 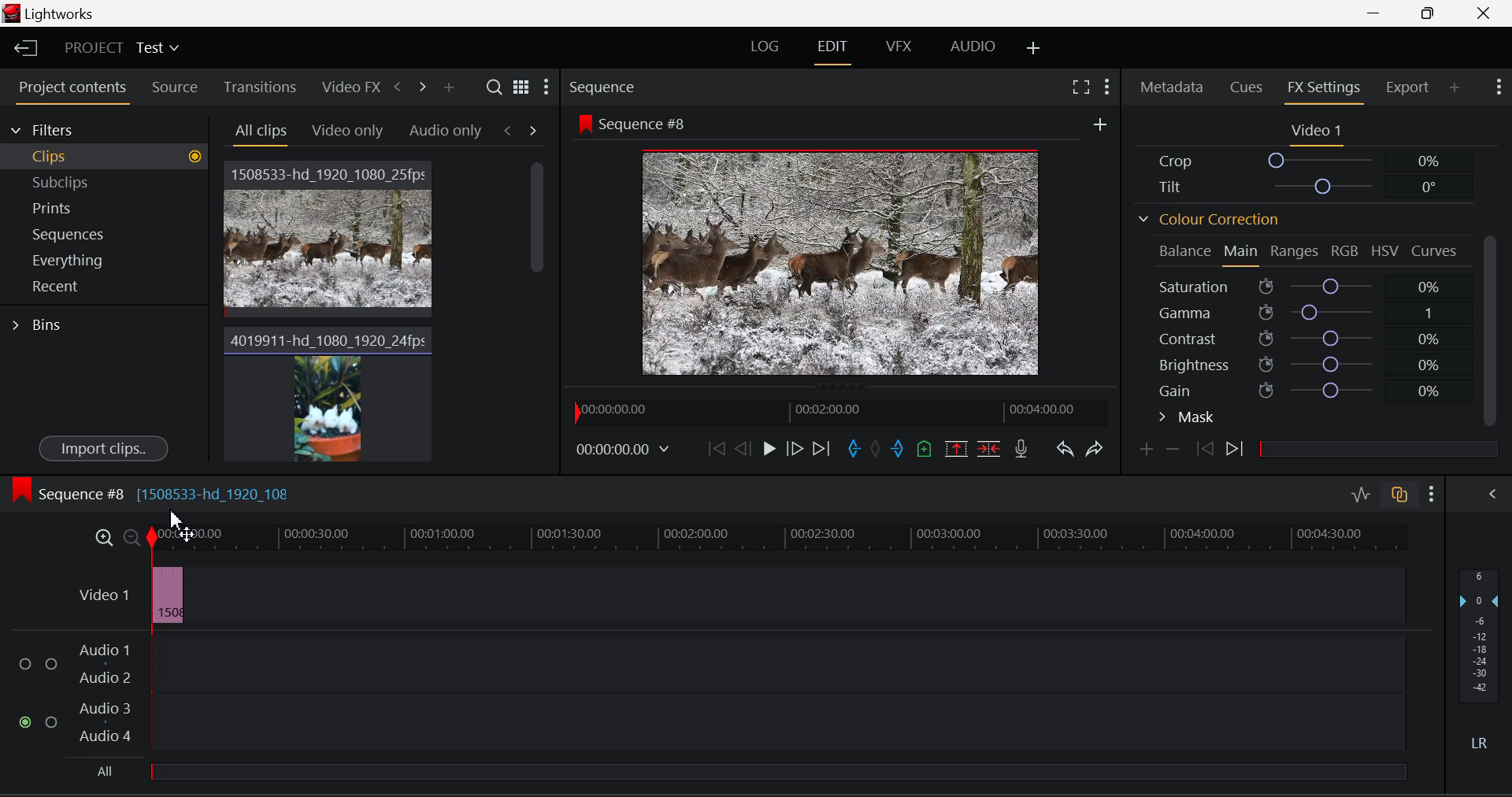 I want to click on Close, so click(x=1484, y=13).